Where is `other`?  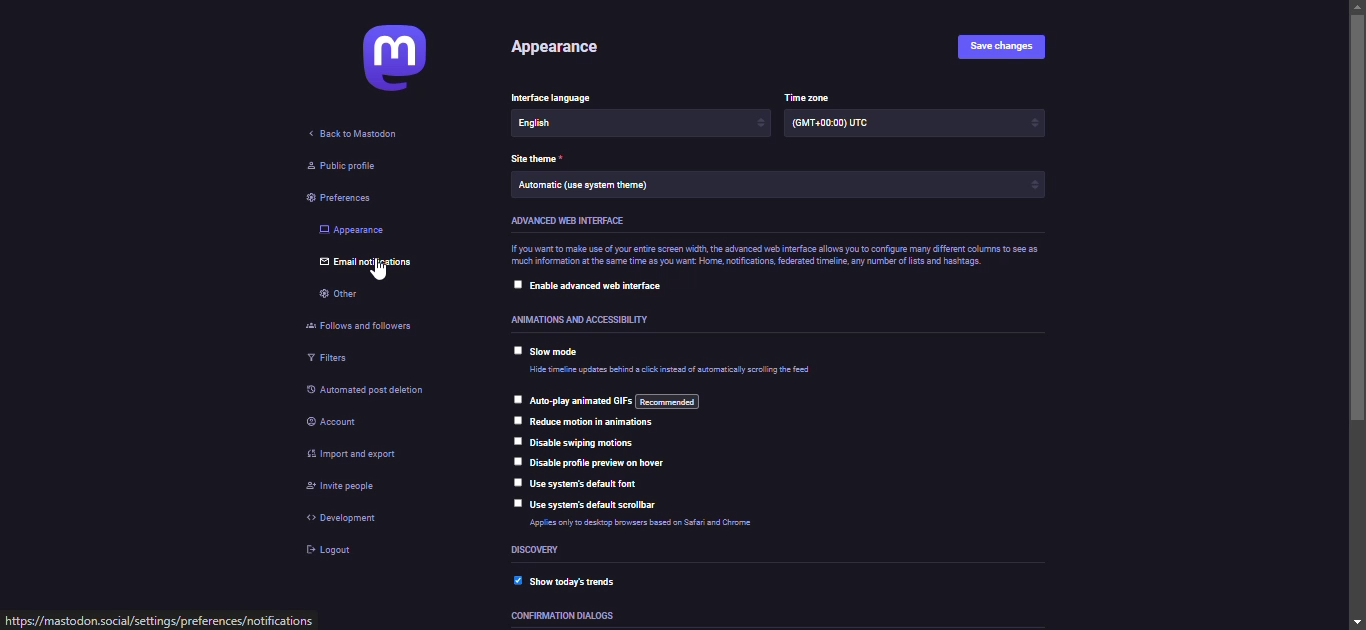 other is located at coordinates (338, 293).